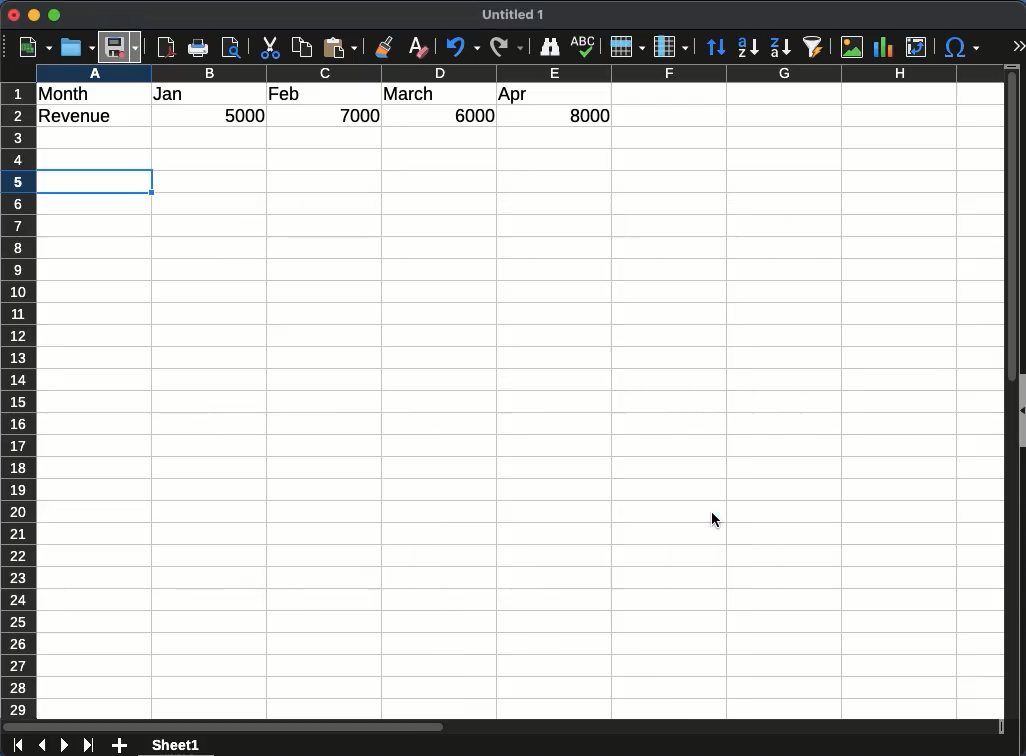 This screenshot has height=756, width=1026. I want to click on clone formatting, so click(388, 47).